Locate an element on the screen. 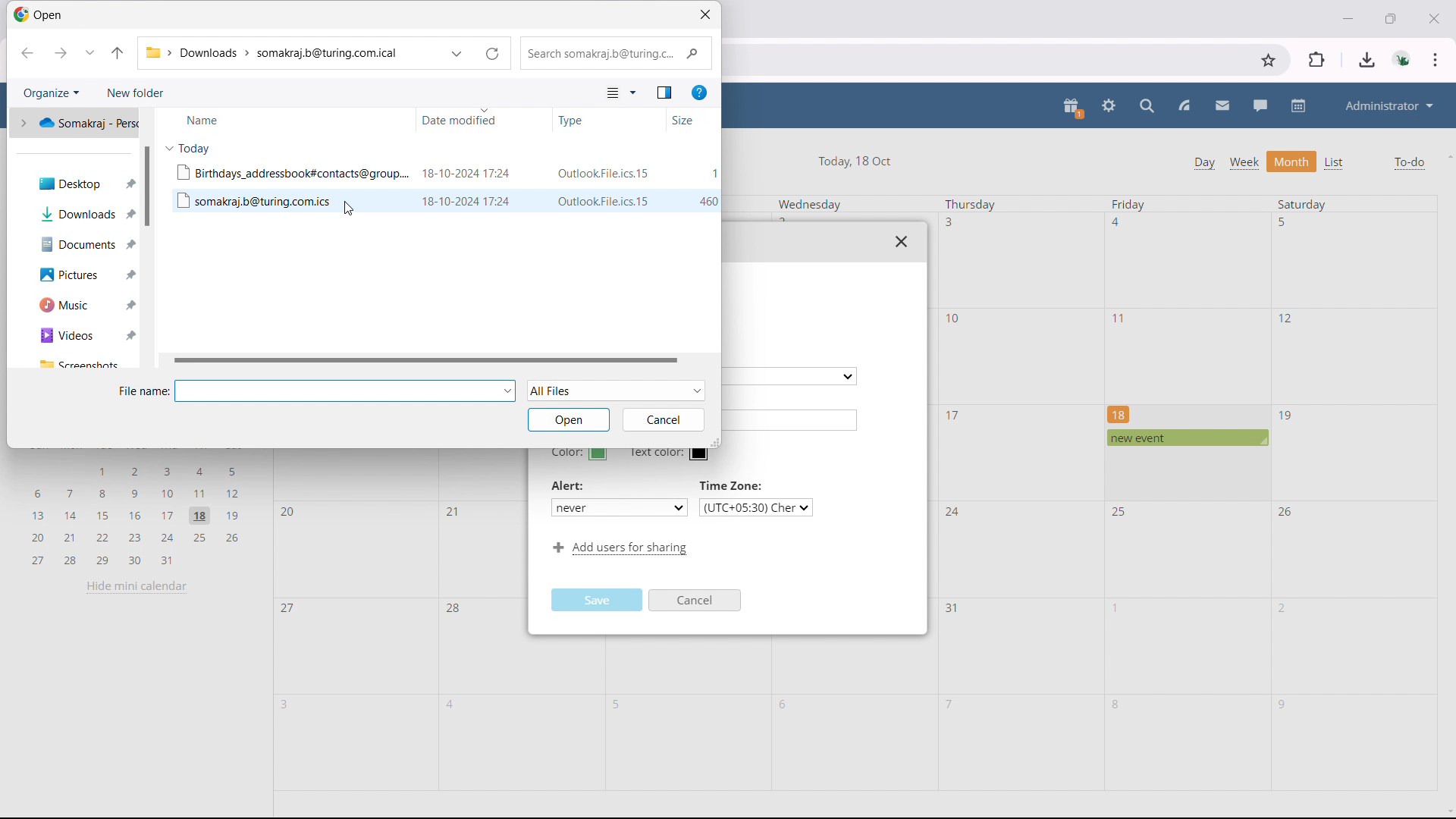 The height and width of the screenshot is (819, 1456). minimize is located at coordinates (1346, 17).